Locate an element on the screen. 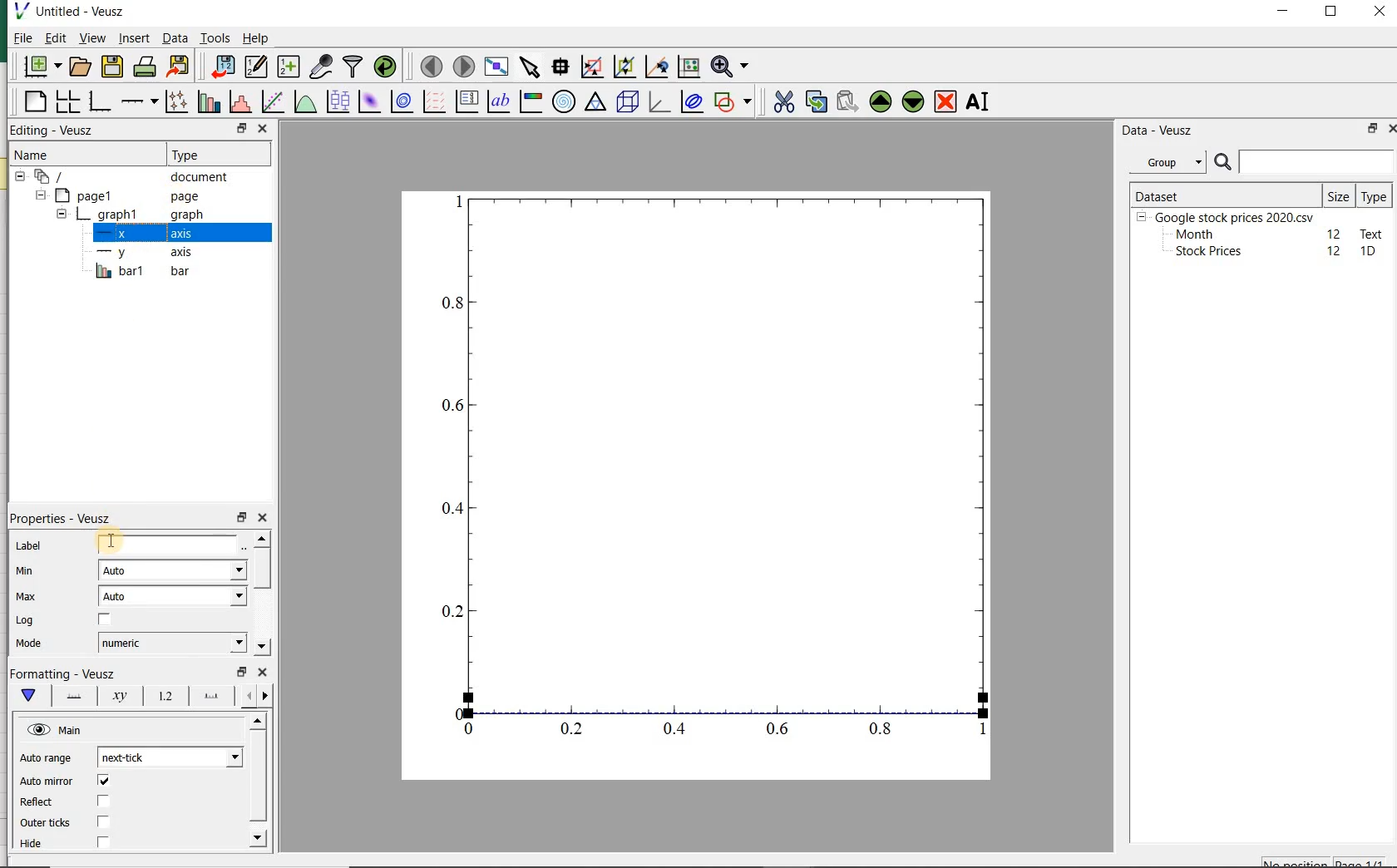 The image size is (1397, 868). close  is located at coordinates (1396, 129).